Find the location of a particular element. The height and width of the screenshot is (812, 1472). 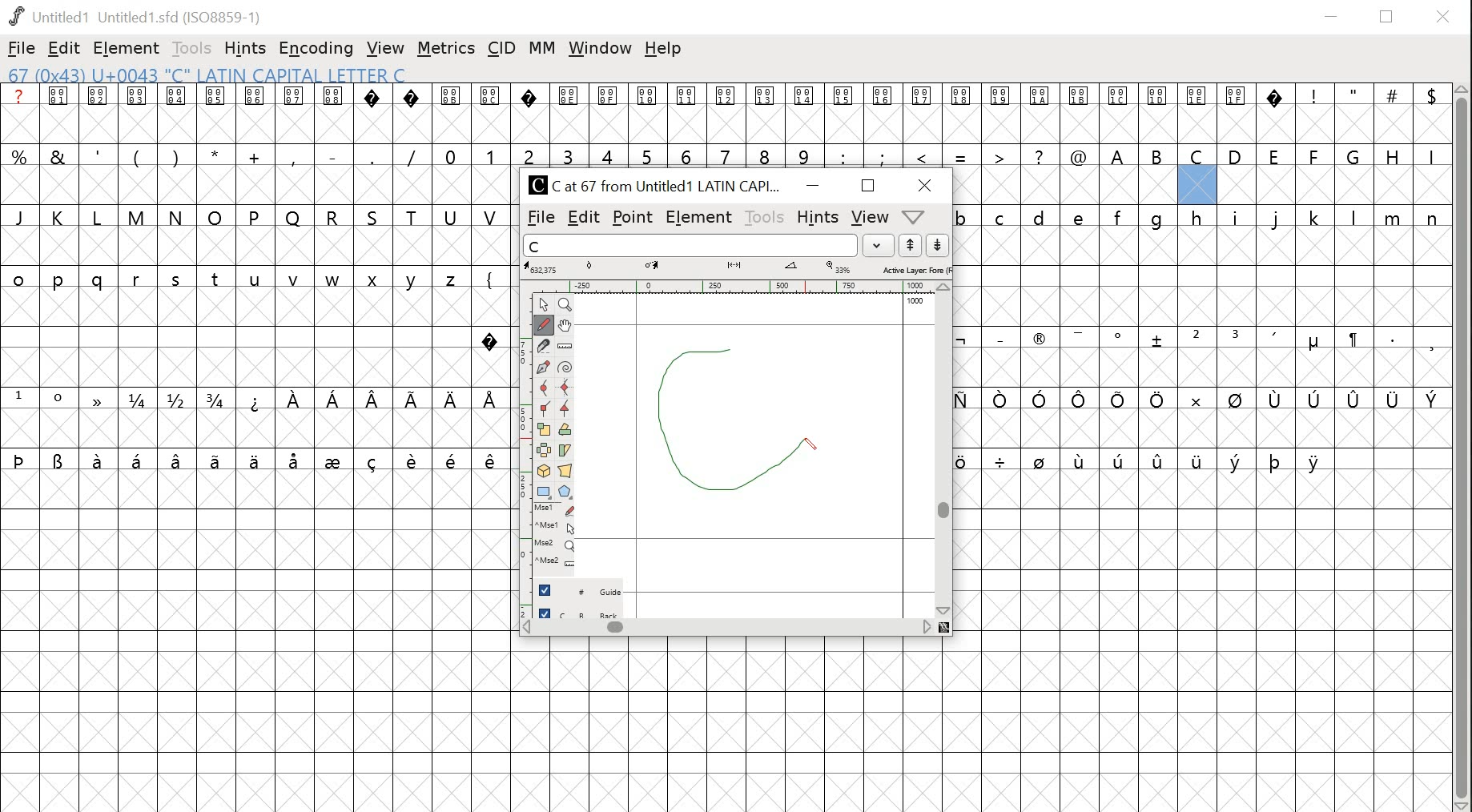

back layer is located at coordinates (581, 611).